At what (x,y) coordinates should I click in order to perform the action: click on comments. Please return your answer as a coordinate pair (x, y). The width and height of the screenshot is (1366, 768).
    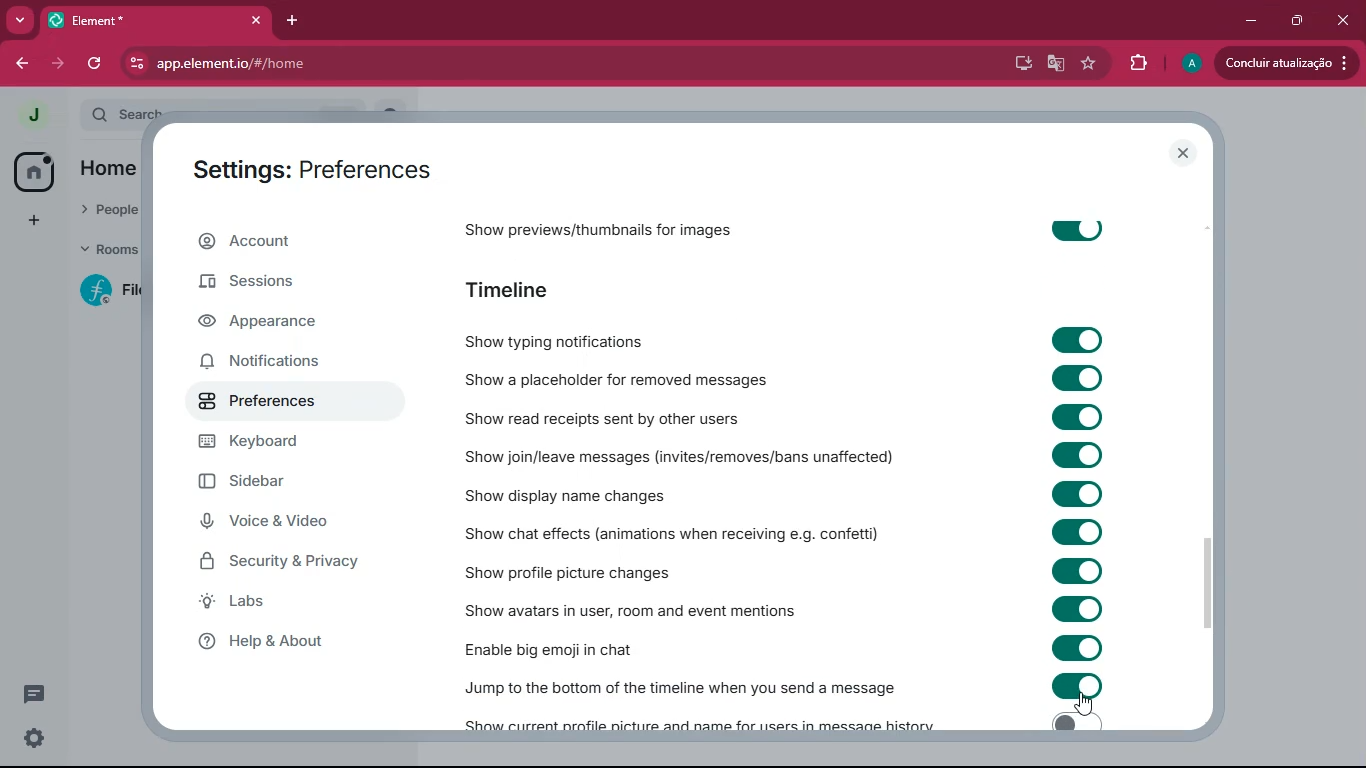
    Looking at the image, I should click on (34, 694).